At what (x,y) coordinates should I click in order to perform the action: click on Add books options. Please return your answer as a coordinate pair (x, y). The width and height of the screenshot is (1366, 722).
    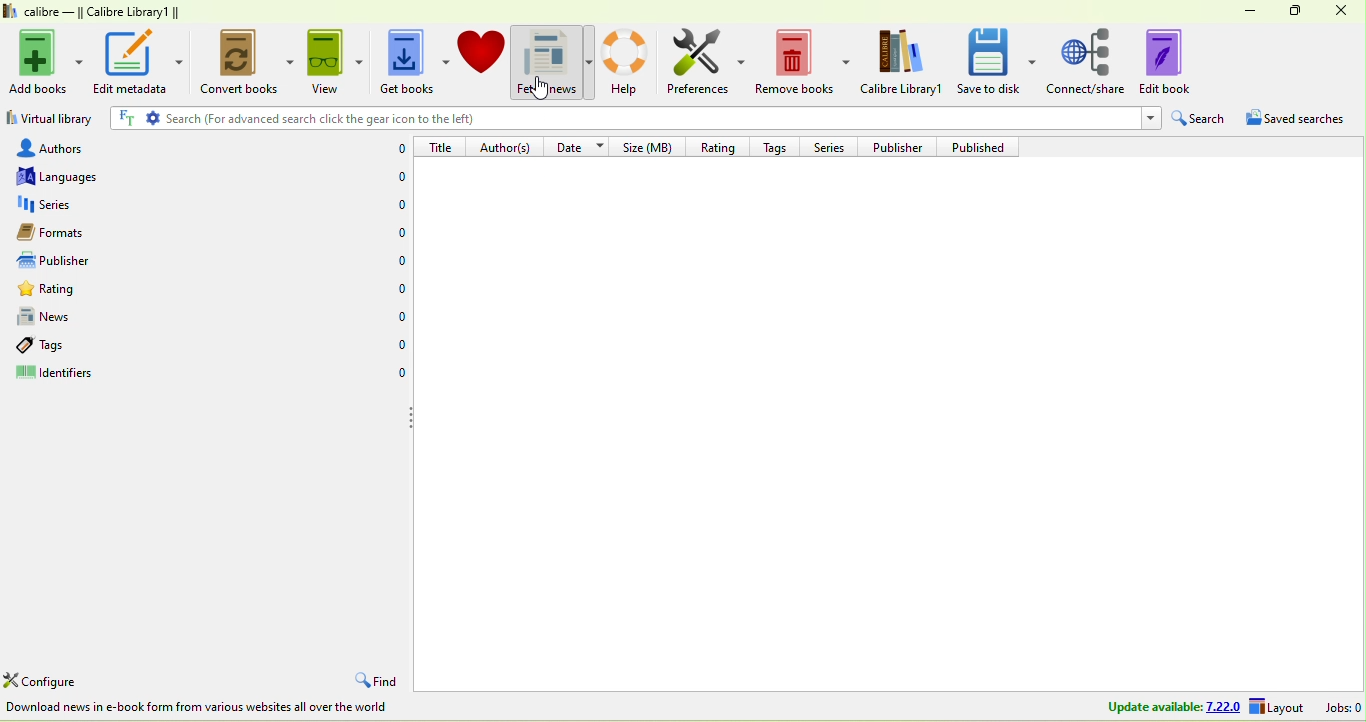
    Looking at the image, I should click on (81, 59).